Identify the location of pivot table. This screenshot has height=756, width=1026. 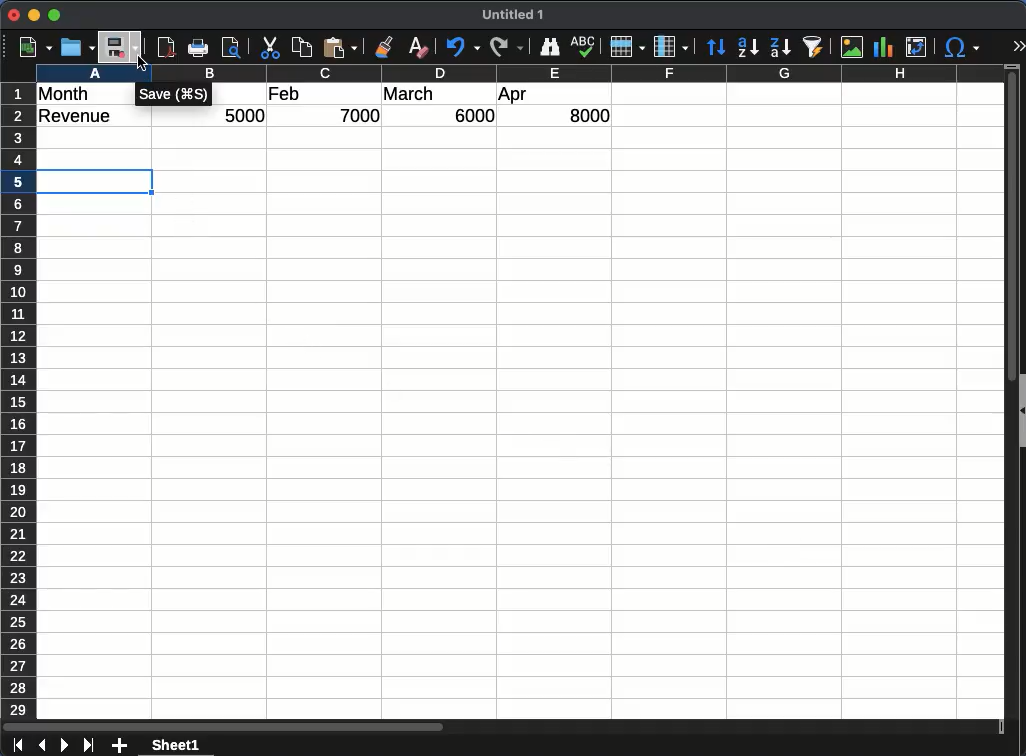
(915, 48).